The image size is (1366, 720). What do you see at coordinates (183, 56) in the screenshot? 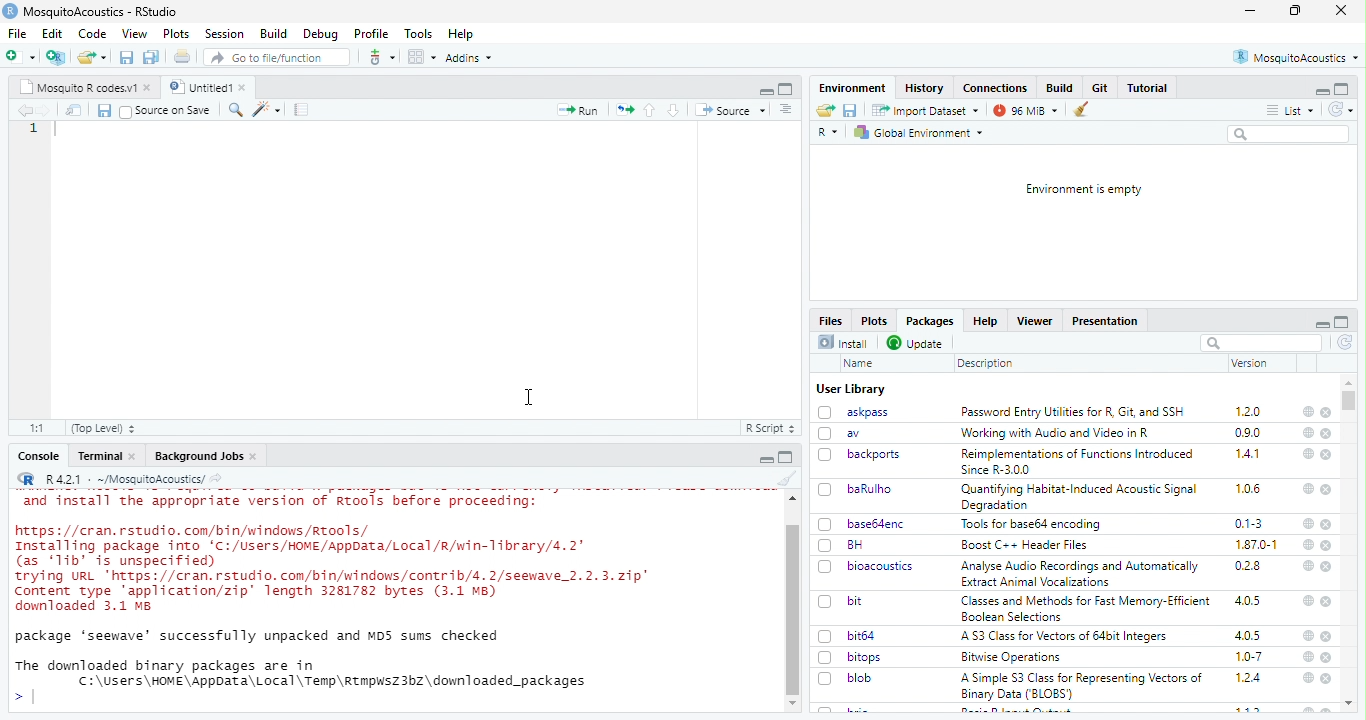
I see `print` at bounding box center [183, 56].